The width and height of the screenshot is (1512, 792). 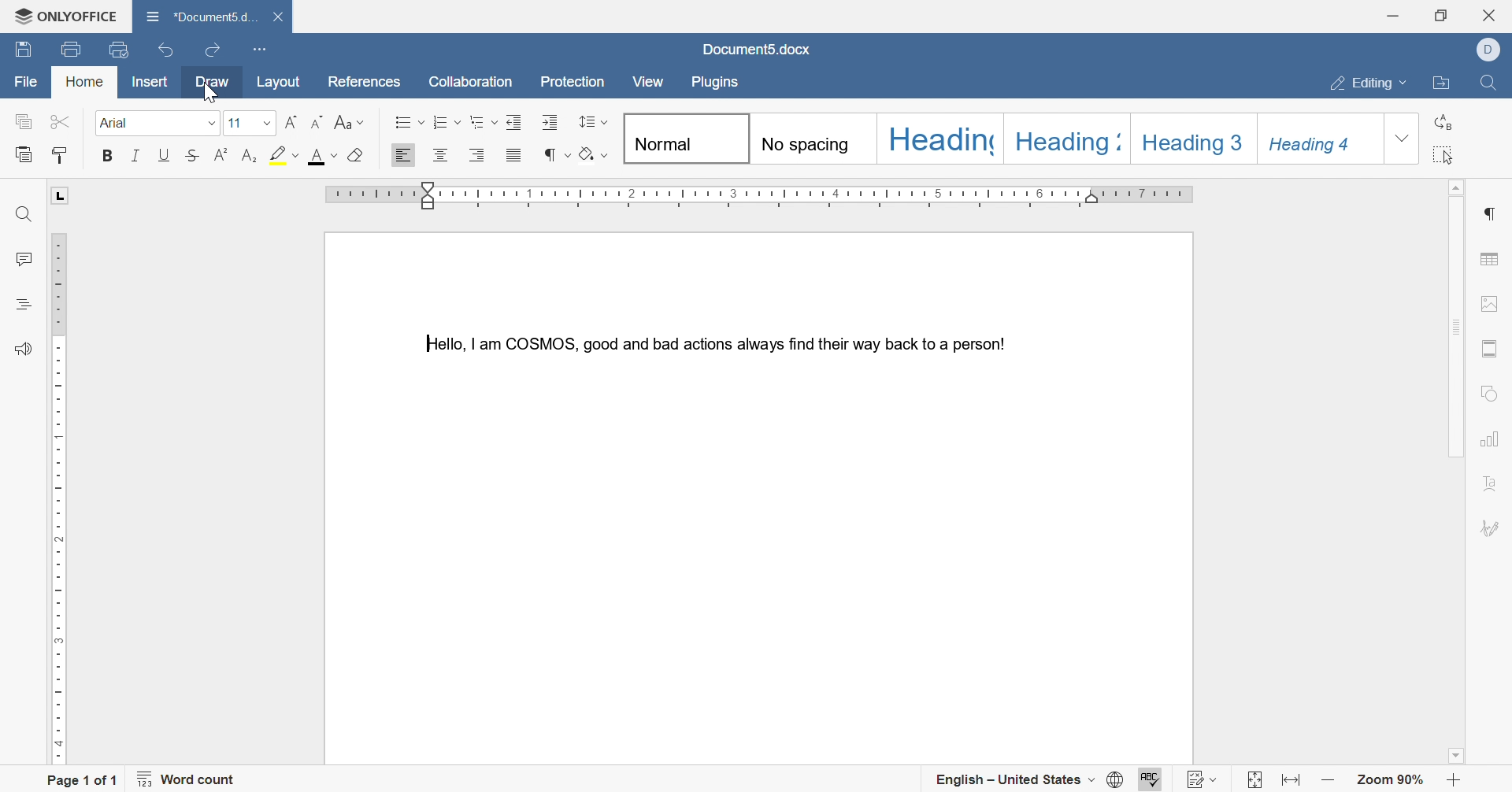 I want to click on Normal, so click(x=686, y=139).